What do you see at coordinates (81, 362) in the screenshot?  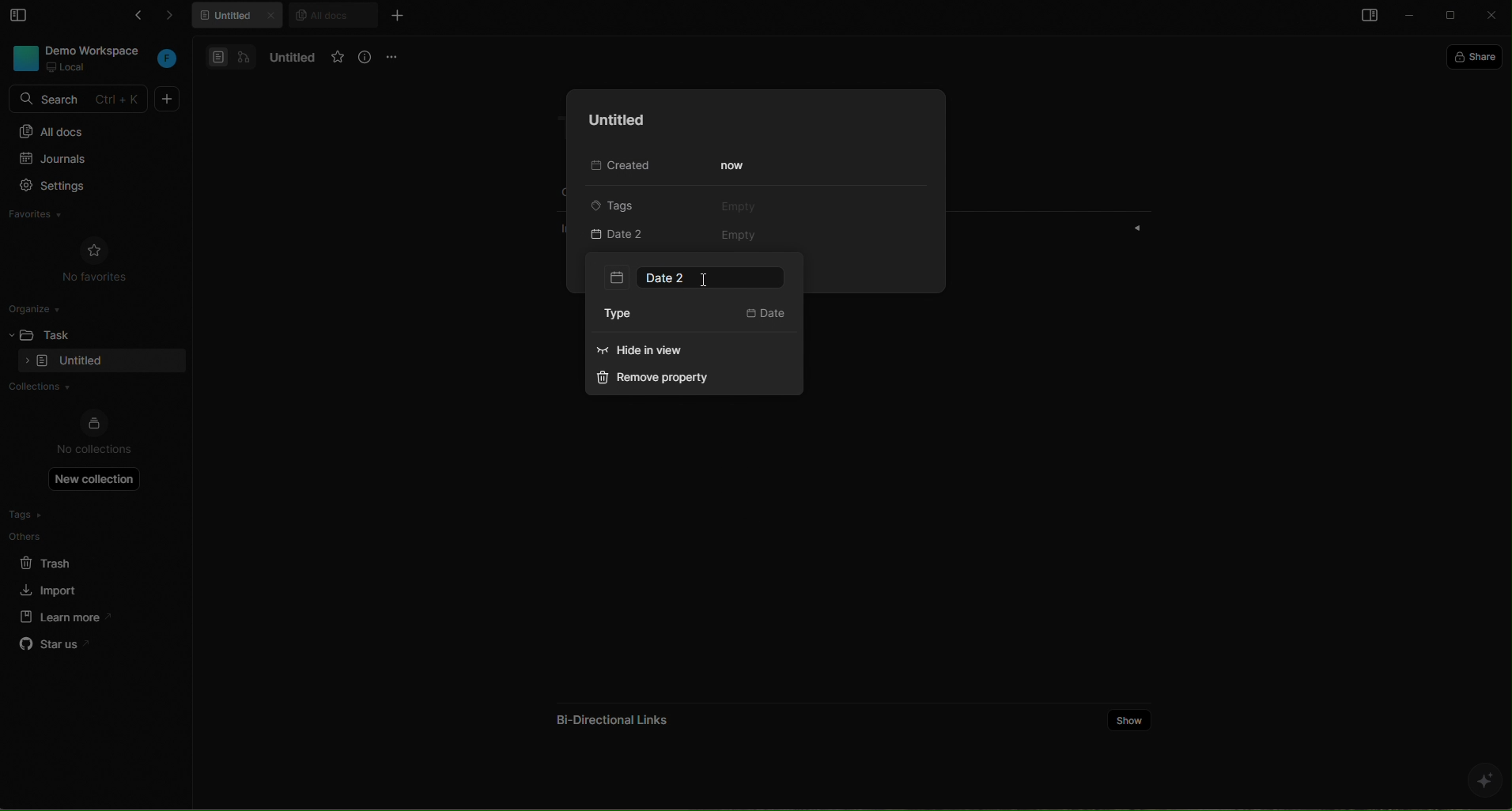 I see `empty folder` at bounding box center [81, 362].